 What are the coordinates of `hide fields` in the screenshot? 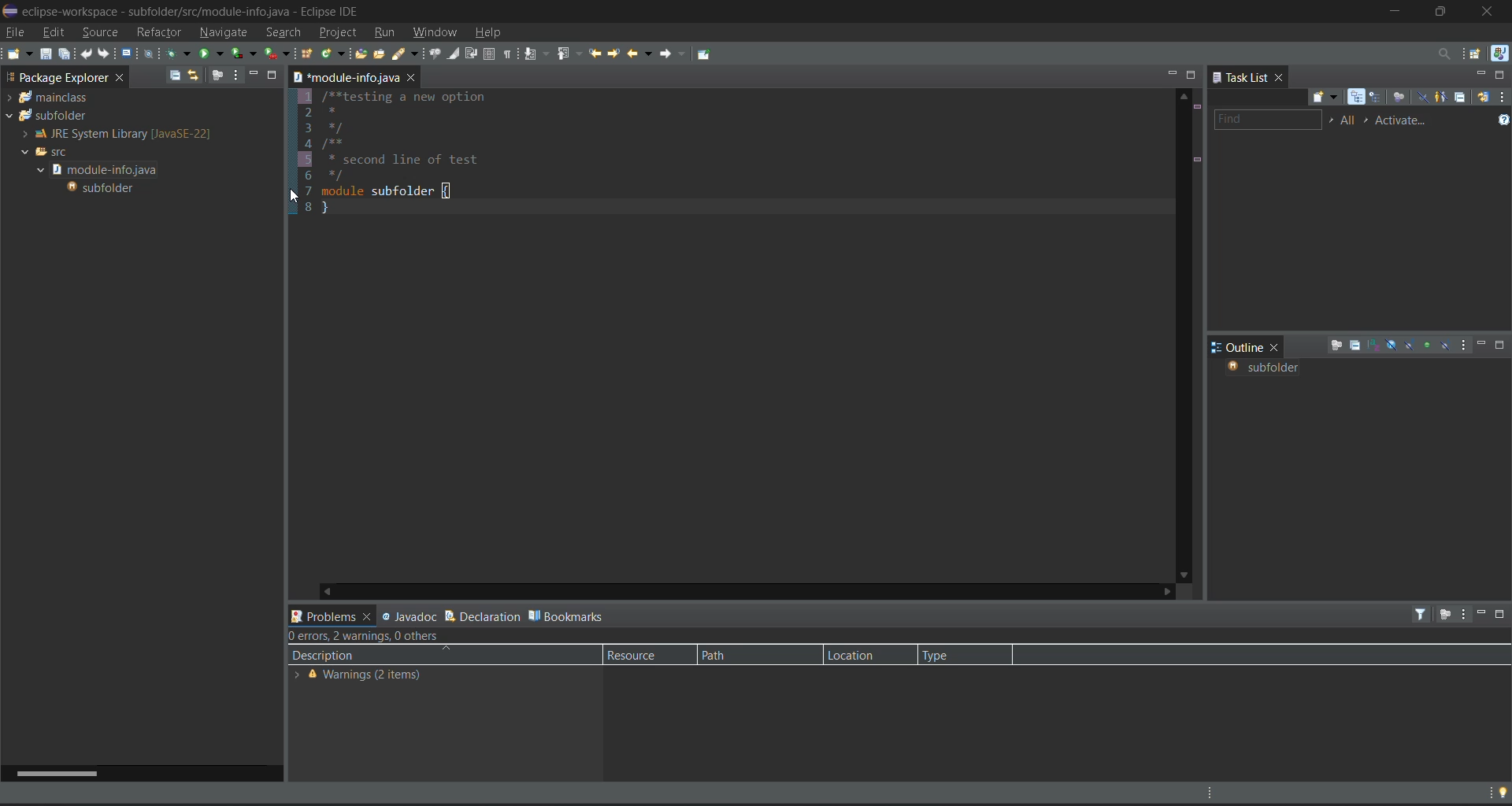 It's located at (1392, 344).